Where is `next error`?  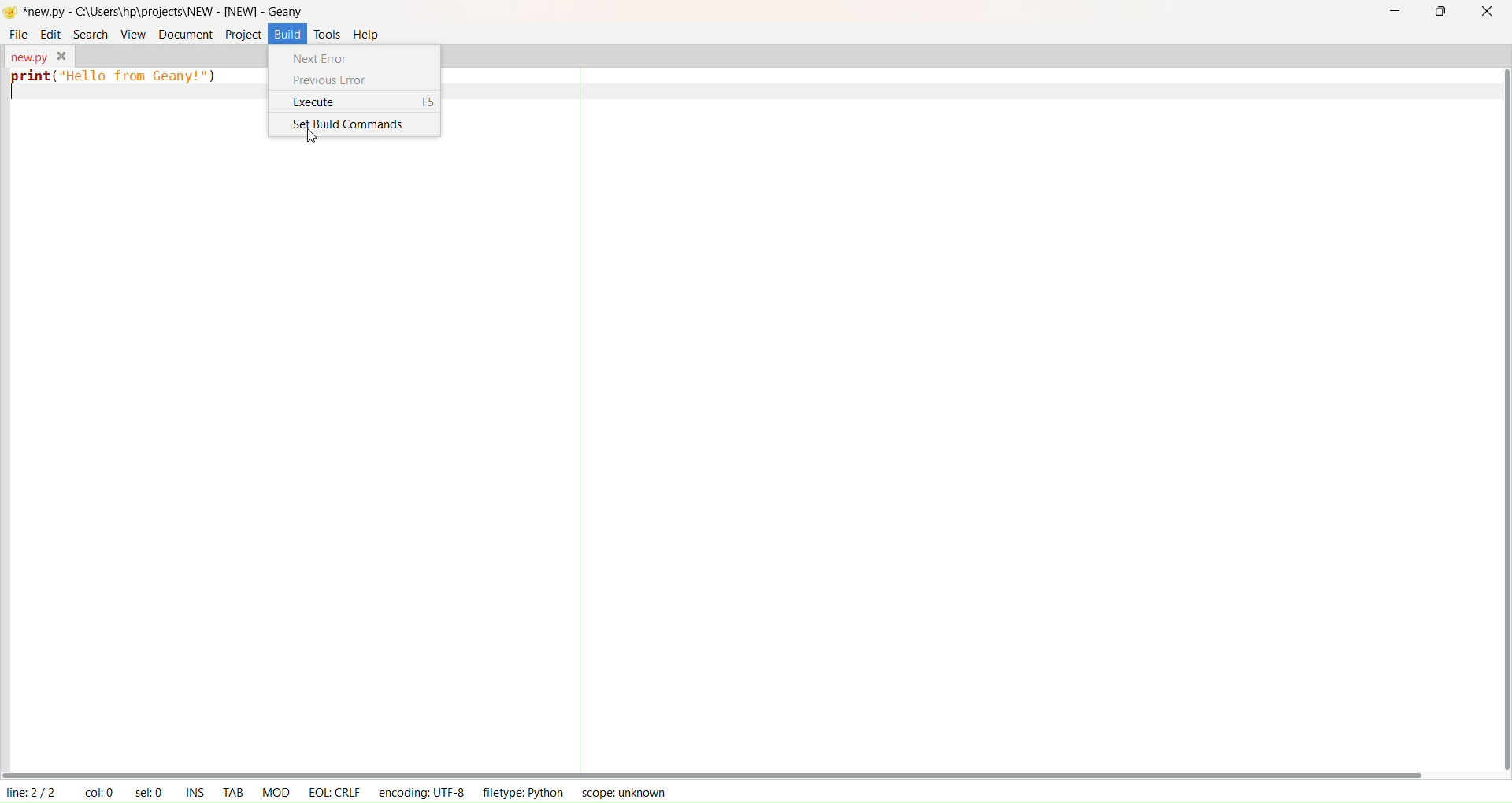
next error is located at coordinates (326, 57).